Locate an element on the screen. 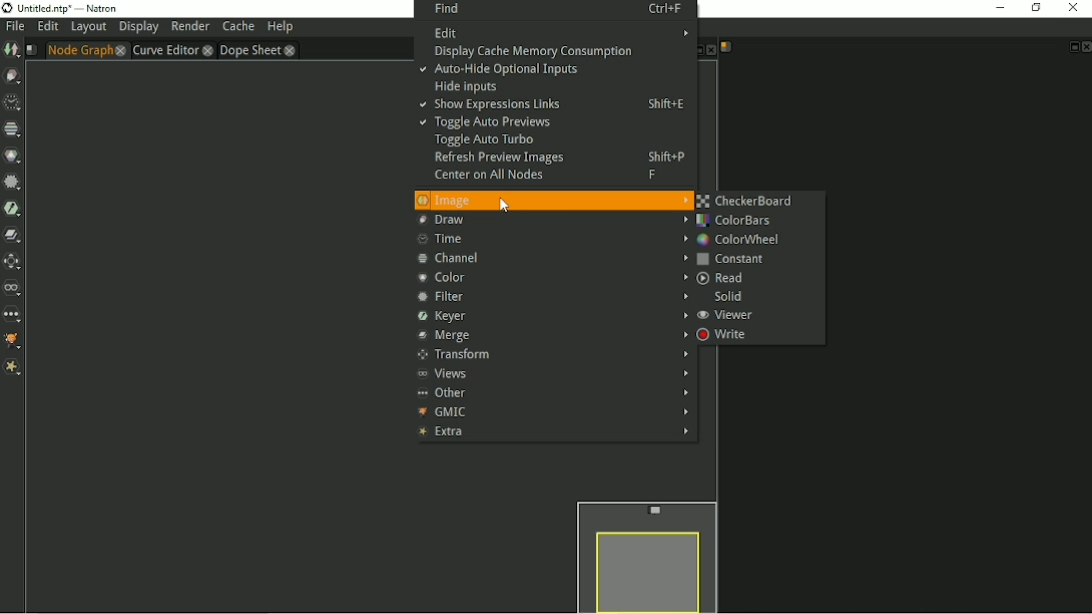 The width and height of the screenshot is (1092, 614). Refresh preview images is located at coordinates (560, 157).